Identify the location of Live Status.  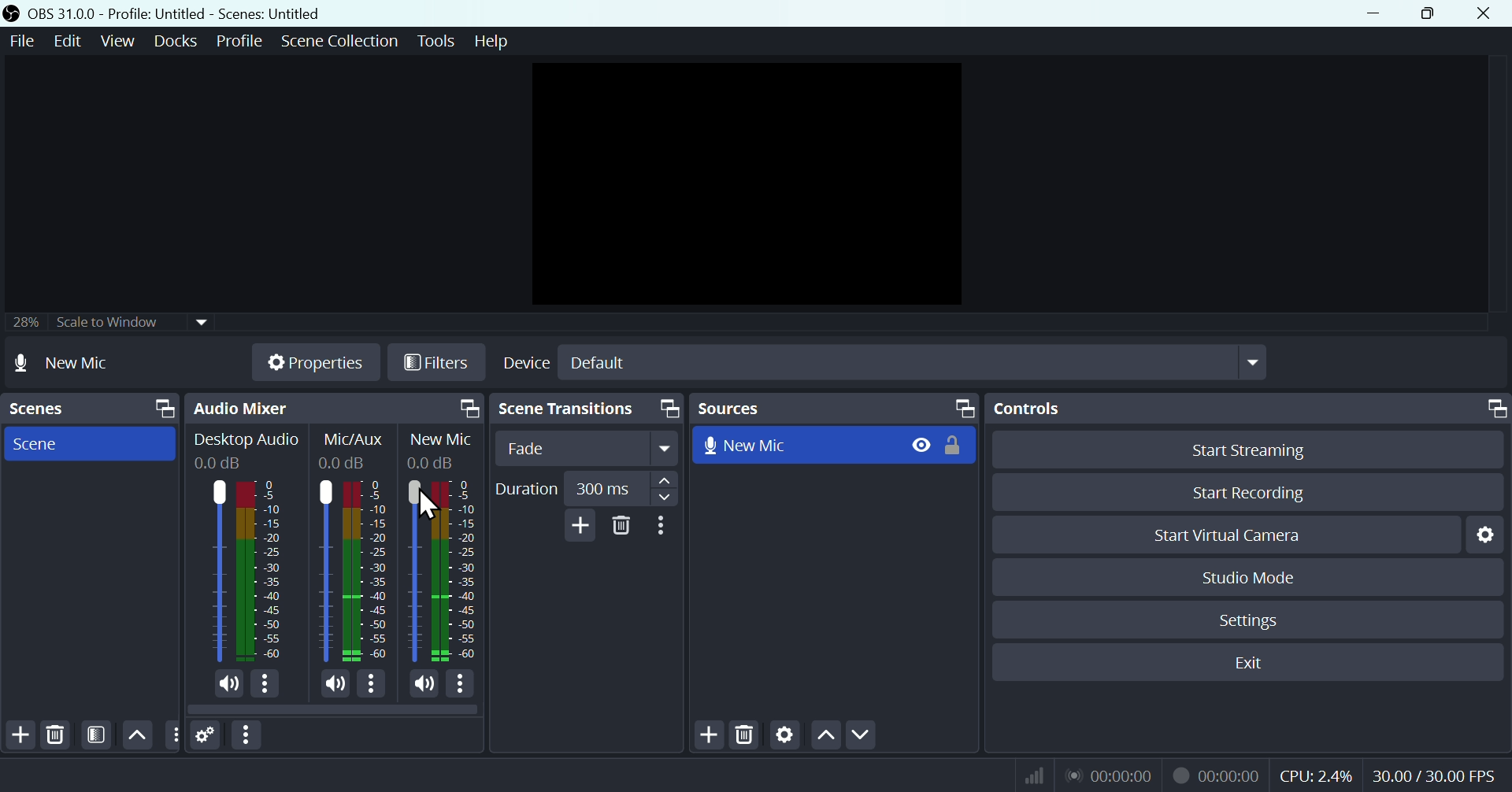
(1108, 774).